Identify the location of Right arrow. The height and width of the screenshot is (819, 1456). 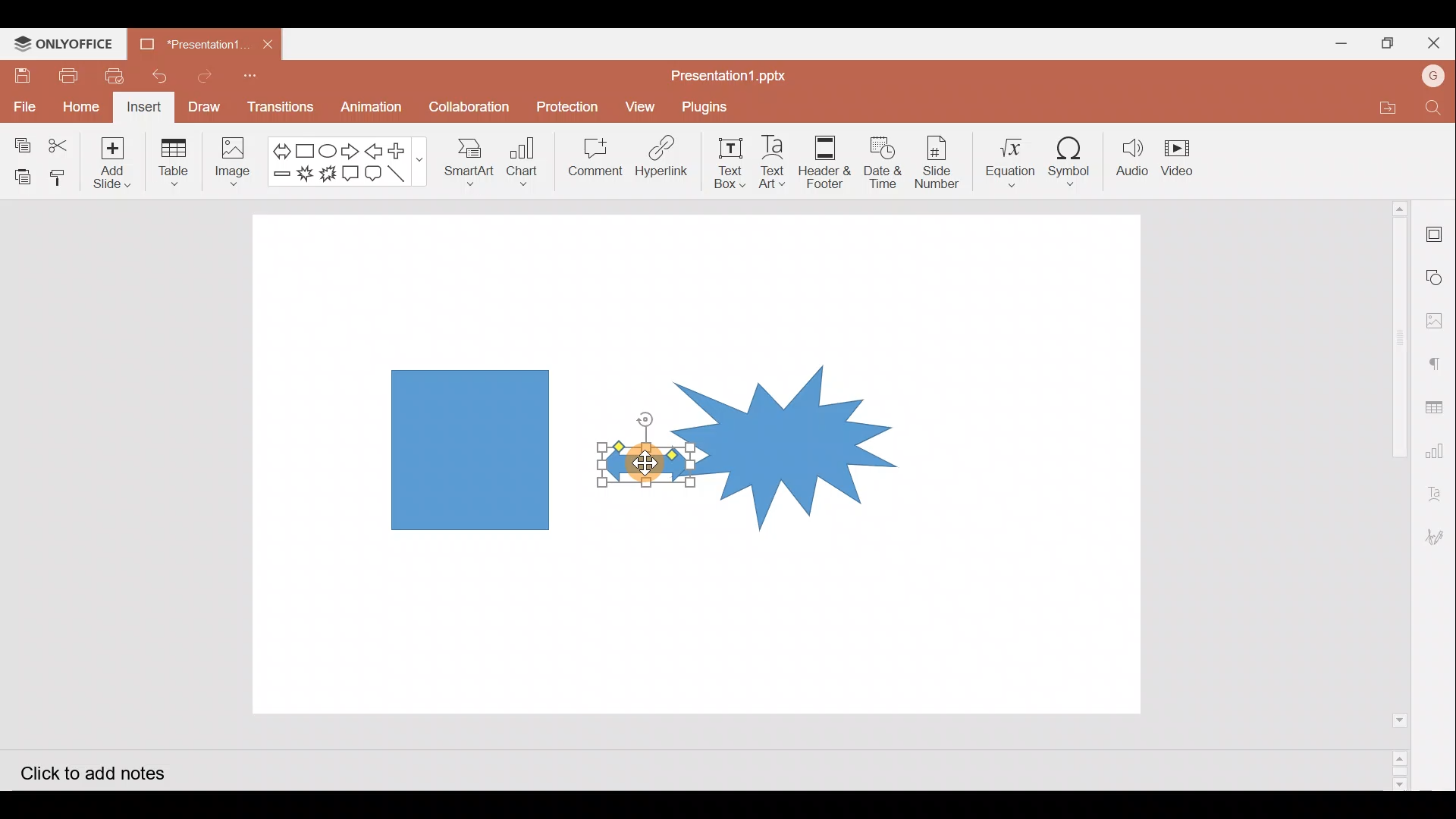
(352, 149).